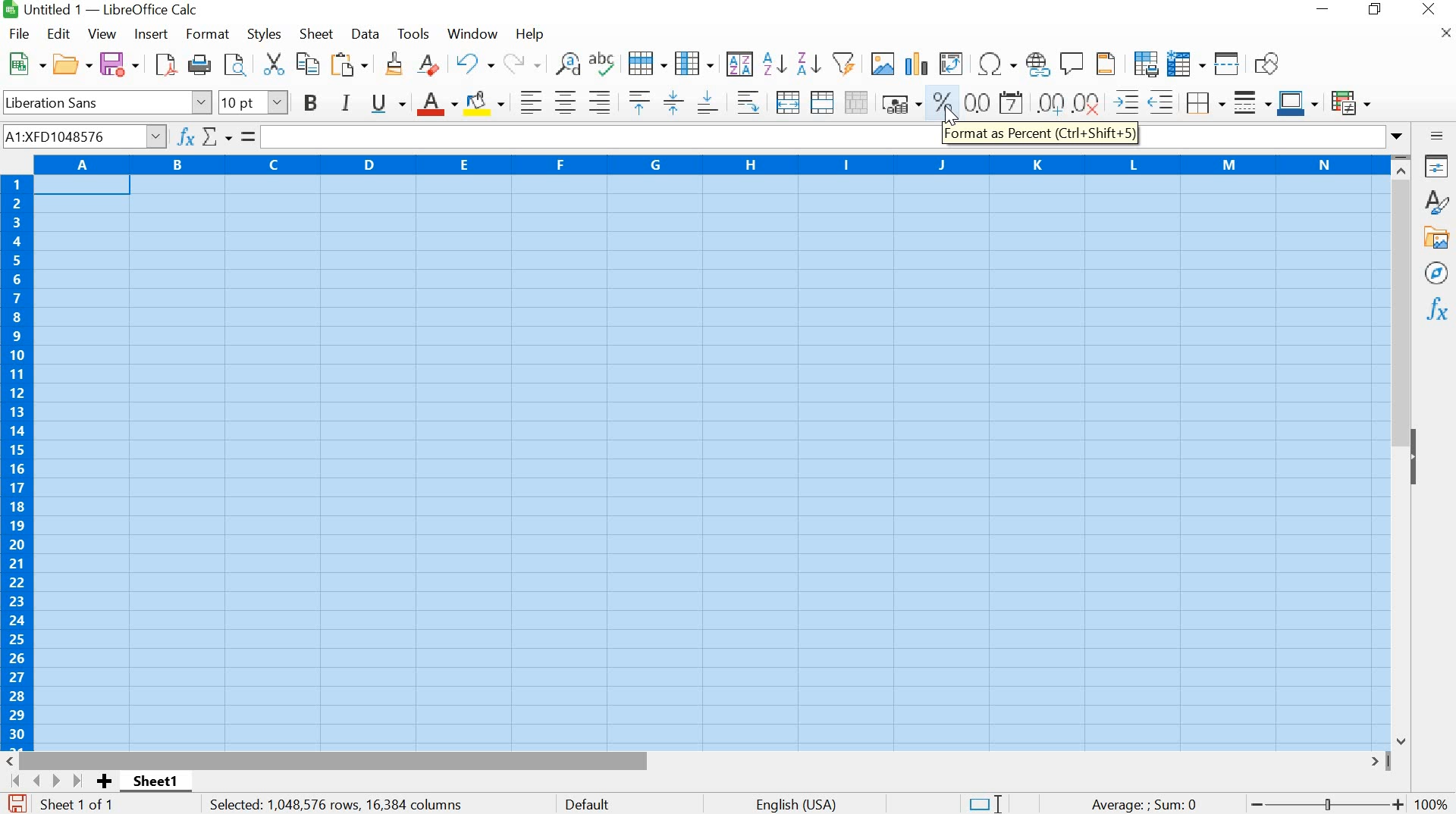  Describe the element at coordinates (1266, 64) in the screenshot. I see `Show Draw Function` at that location.